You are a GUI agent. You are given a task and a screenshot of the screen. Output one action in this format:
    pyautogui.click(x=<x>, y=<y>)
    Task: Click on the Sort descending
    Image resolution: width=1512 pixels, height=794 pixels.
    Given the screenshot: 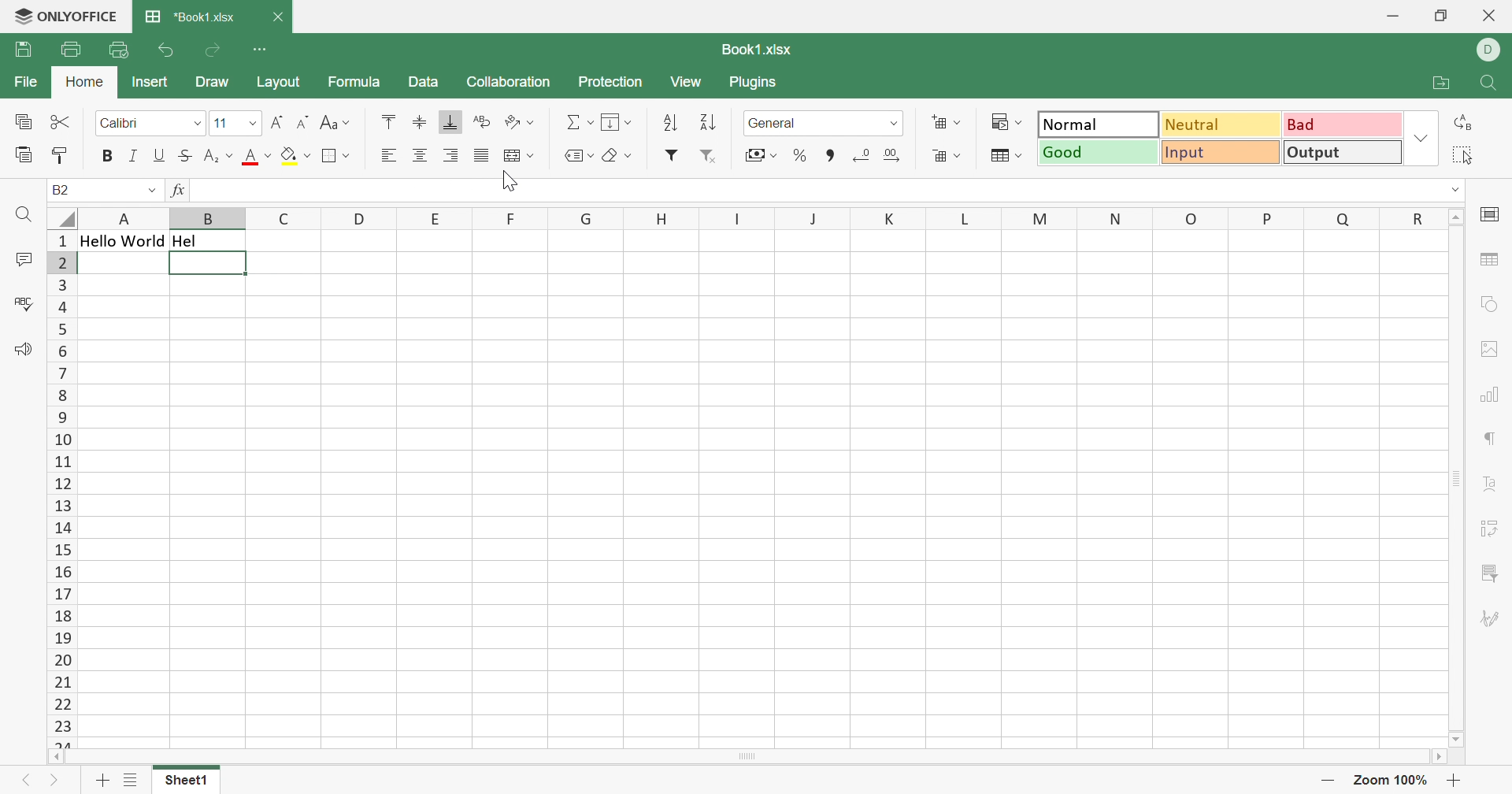 What is the action you would take?
    pyautogui.click(x=708, y=122)
    